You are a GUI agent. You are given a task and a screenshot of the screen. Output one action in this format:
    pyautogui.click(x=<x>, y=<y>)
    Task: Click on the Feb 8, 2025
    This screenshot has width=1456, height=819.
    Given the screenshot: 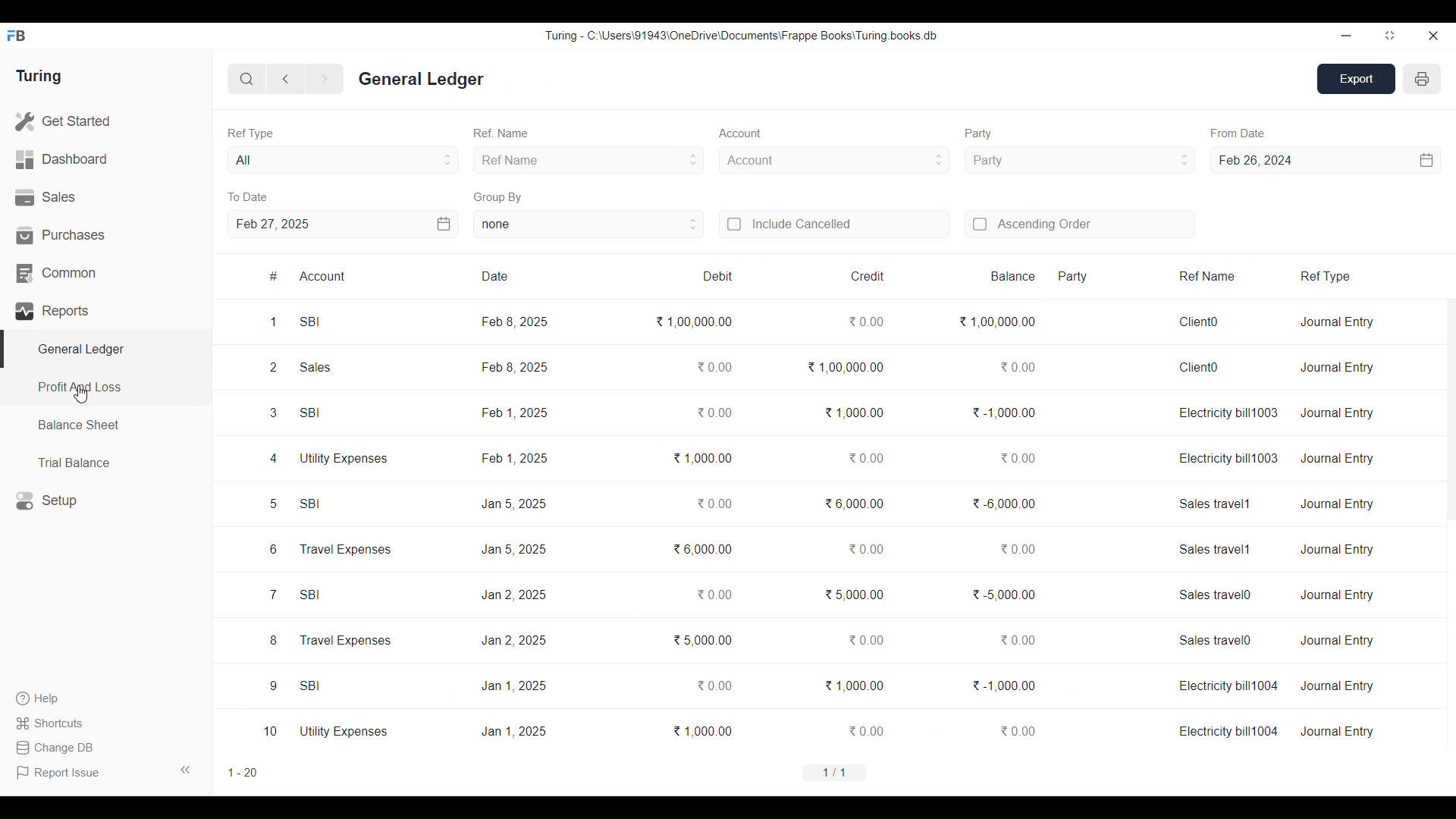 What is the action you would take?
    pyautogui.click(x=515, y=322)
    